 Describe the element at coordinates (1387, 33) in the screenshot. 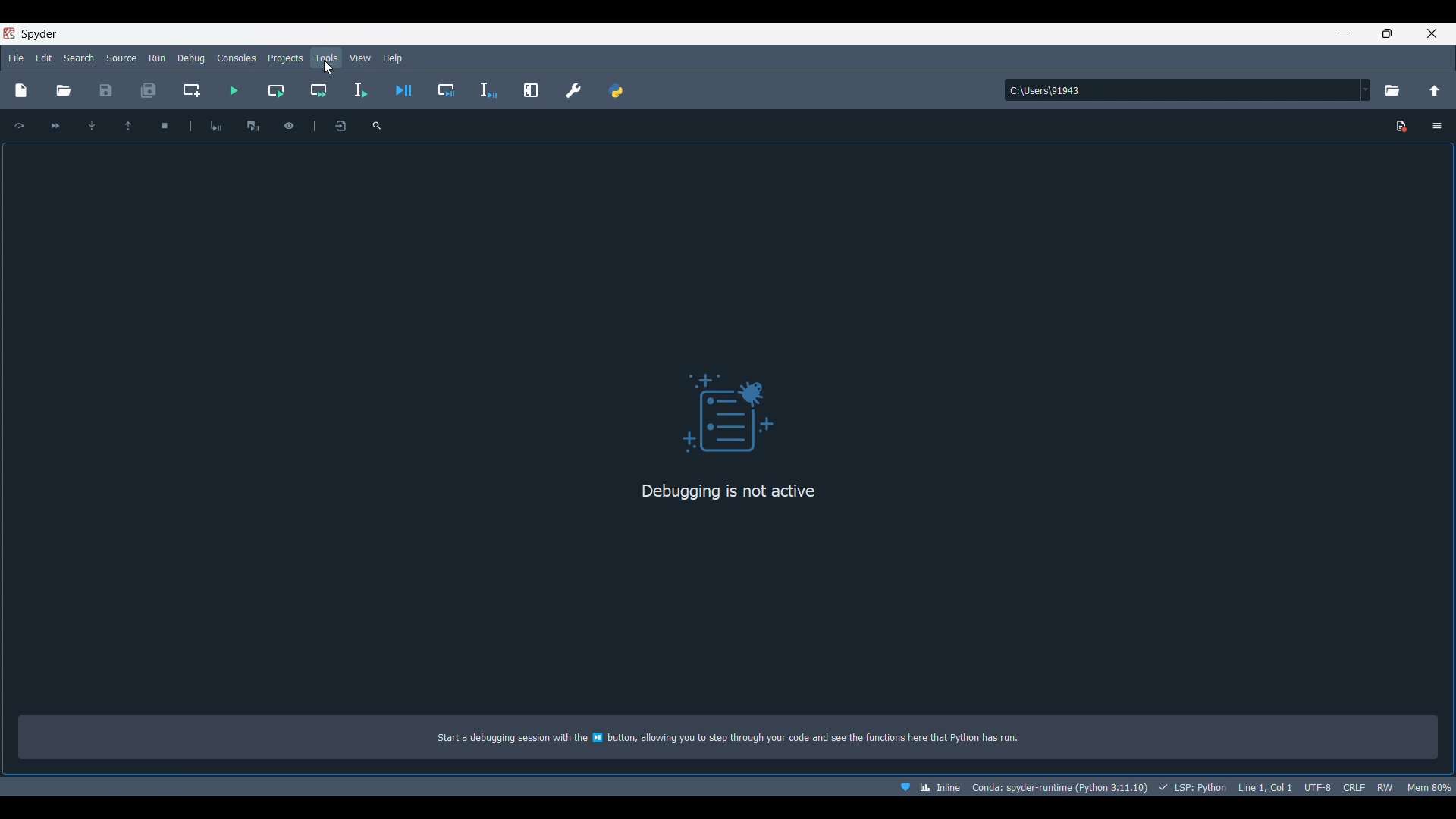

I see `Show in smaller tab` at that location.